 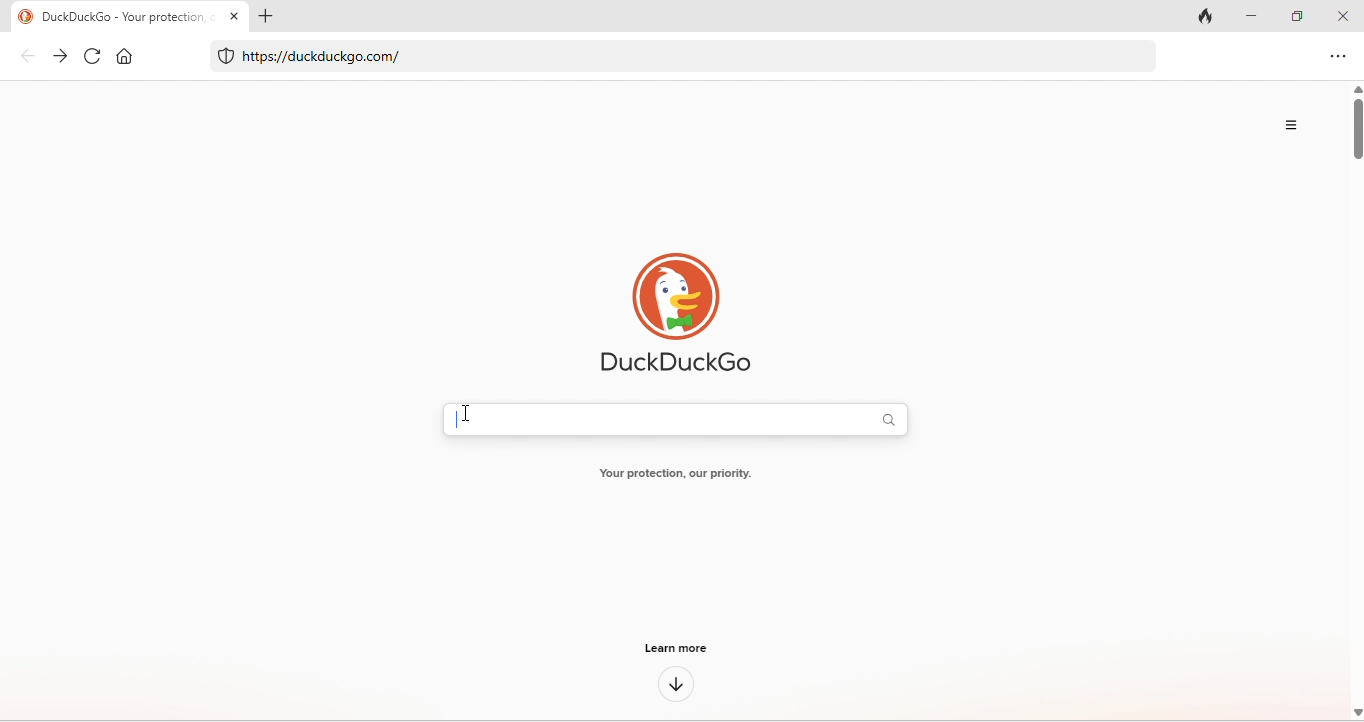 I want to click on learn more, so click(x=682, y=649).